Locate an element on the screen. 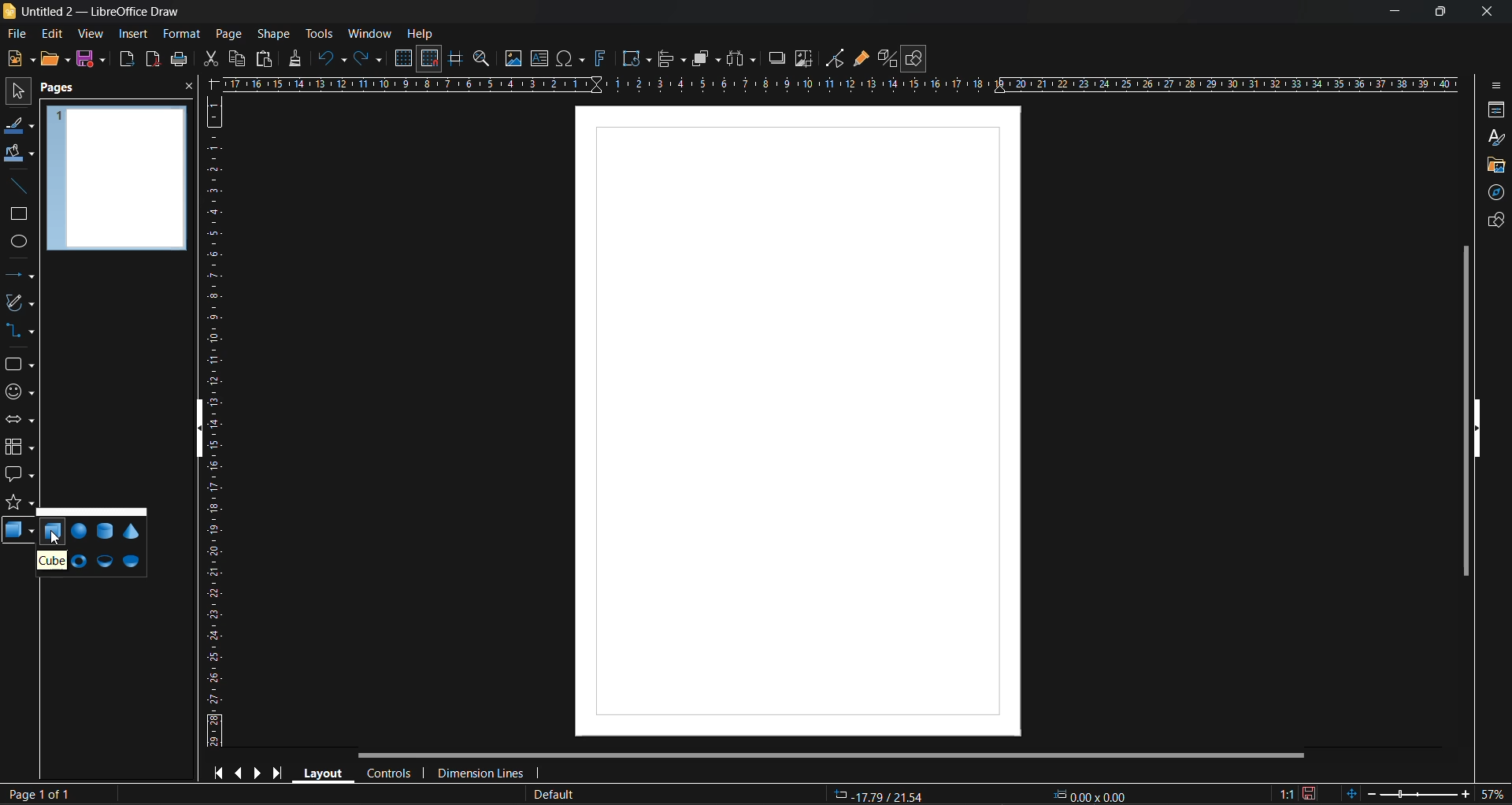  dimension lines is located at coordinates (481, 770).